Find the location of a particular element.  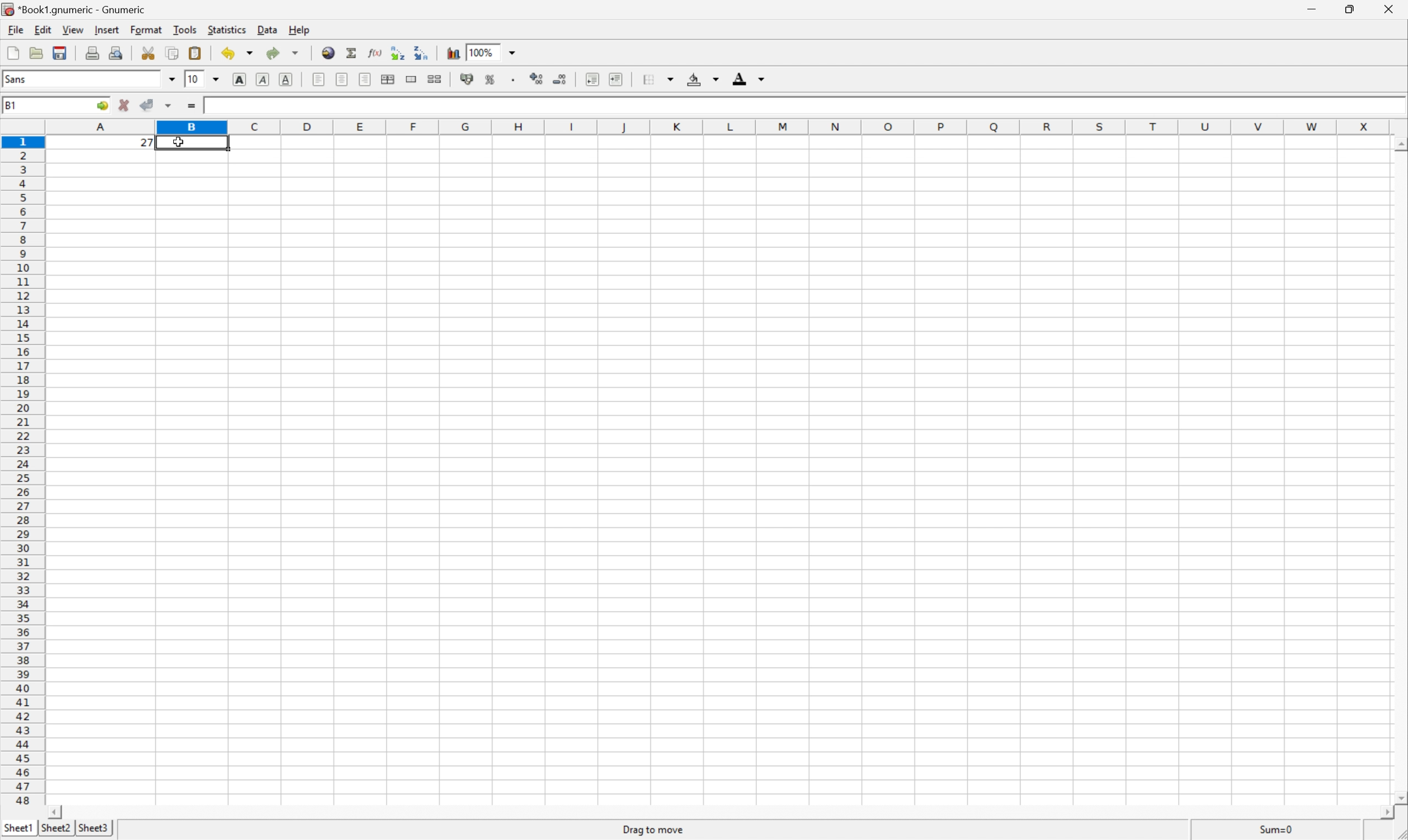

Statistics is located at coordinates (227, 29).